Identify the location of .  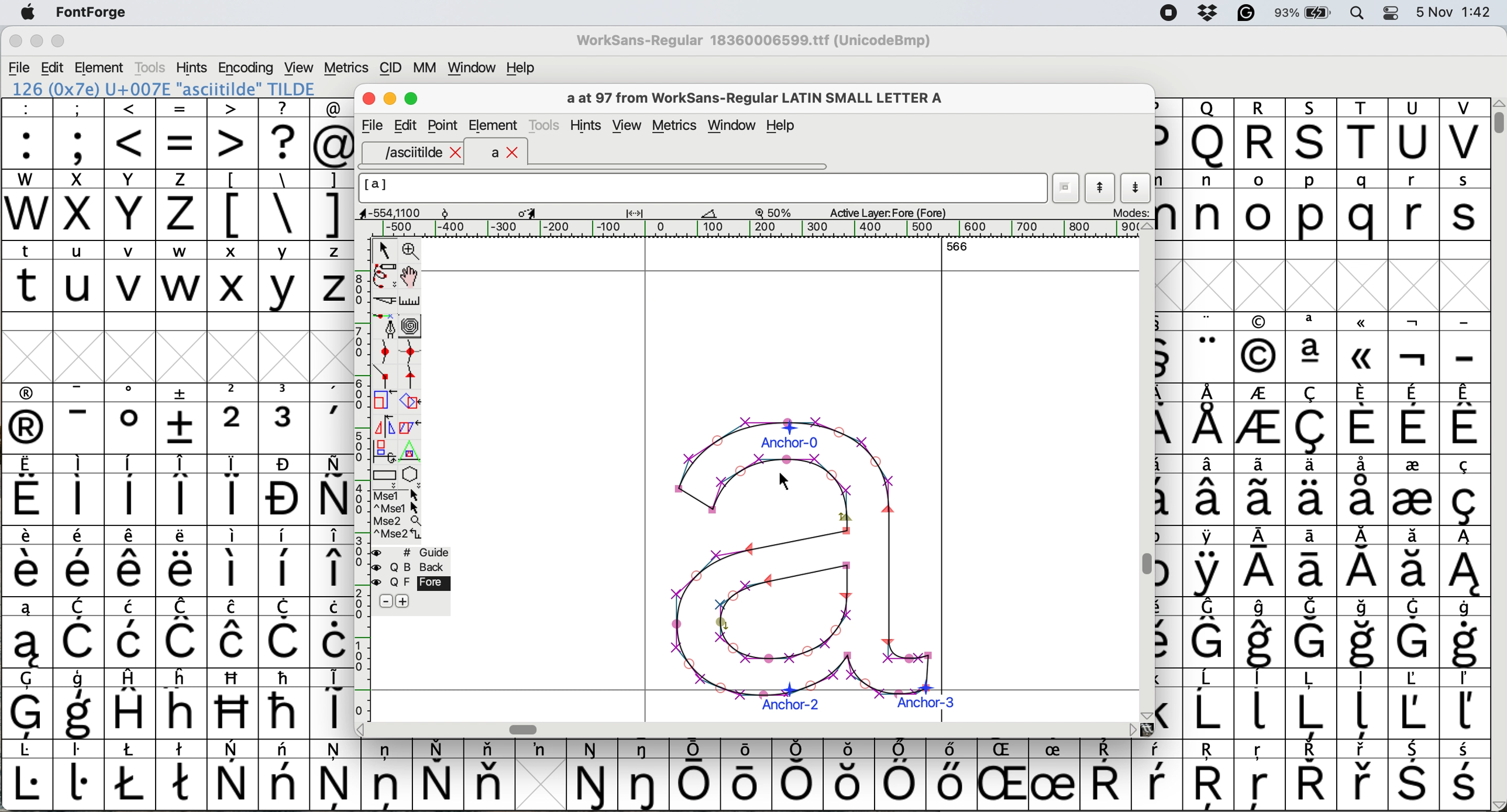
(1211, 776).